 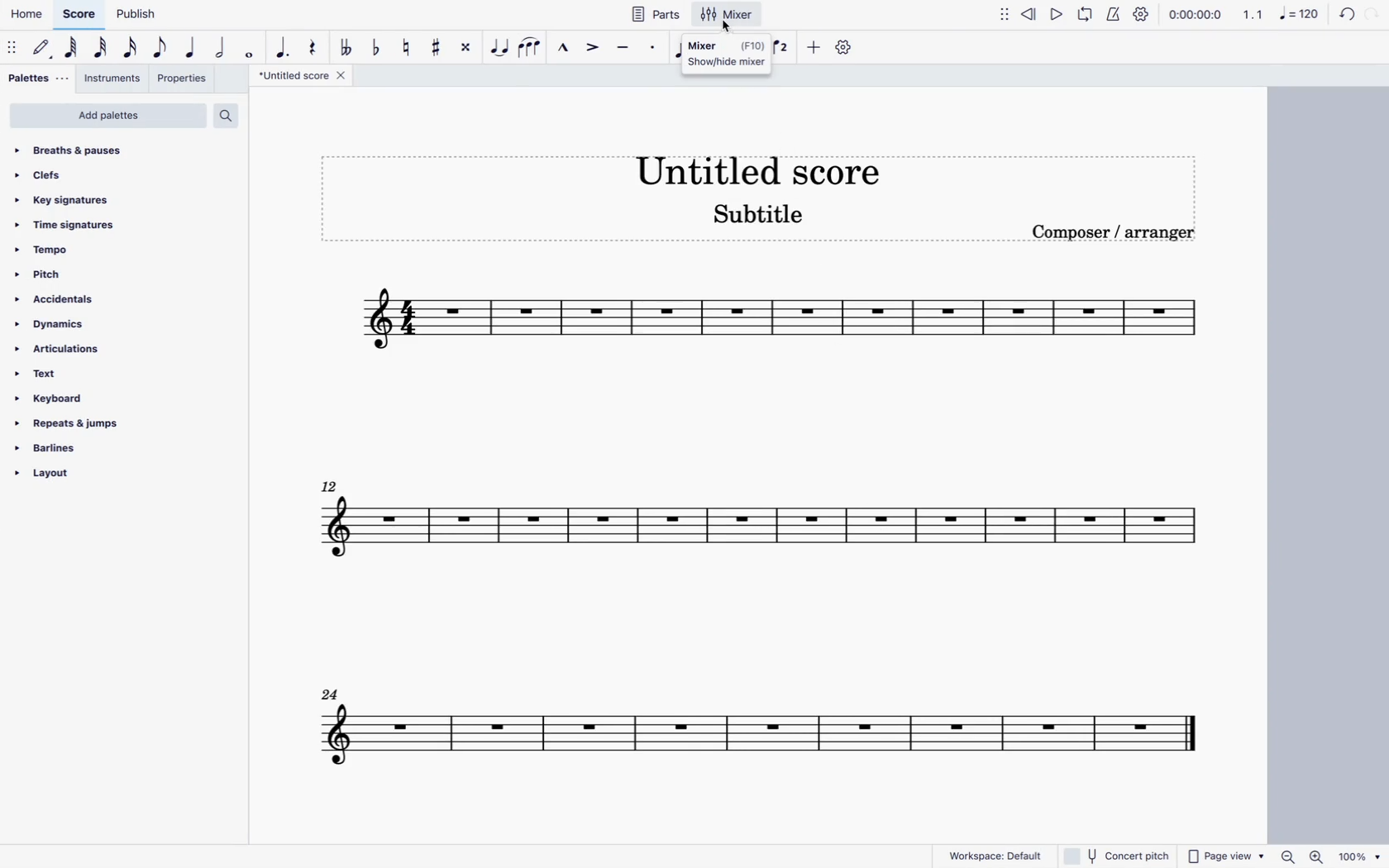 I want to click on metronome, so click(x=1112, y=13).